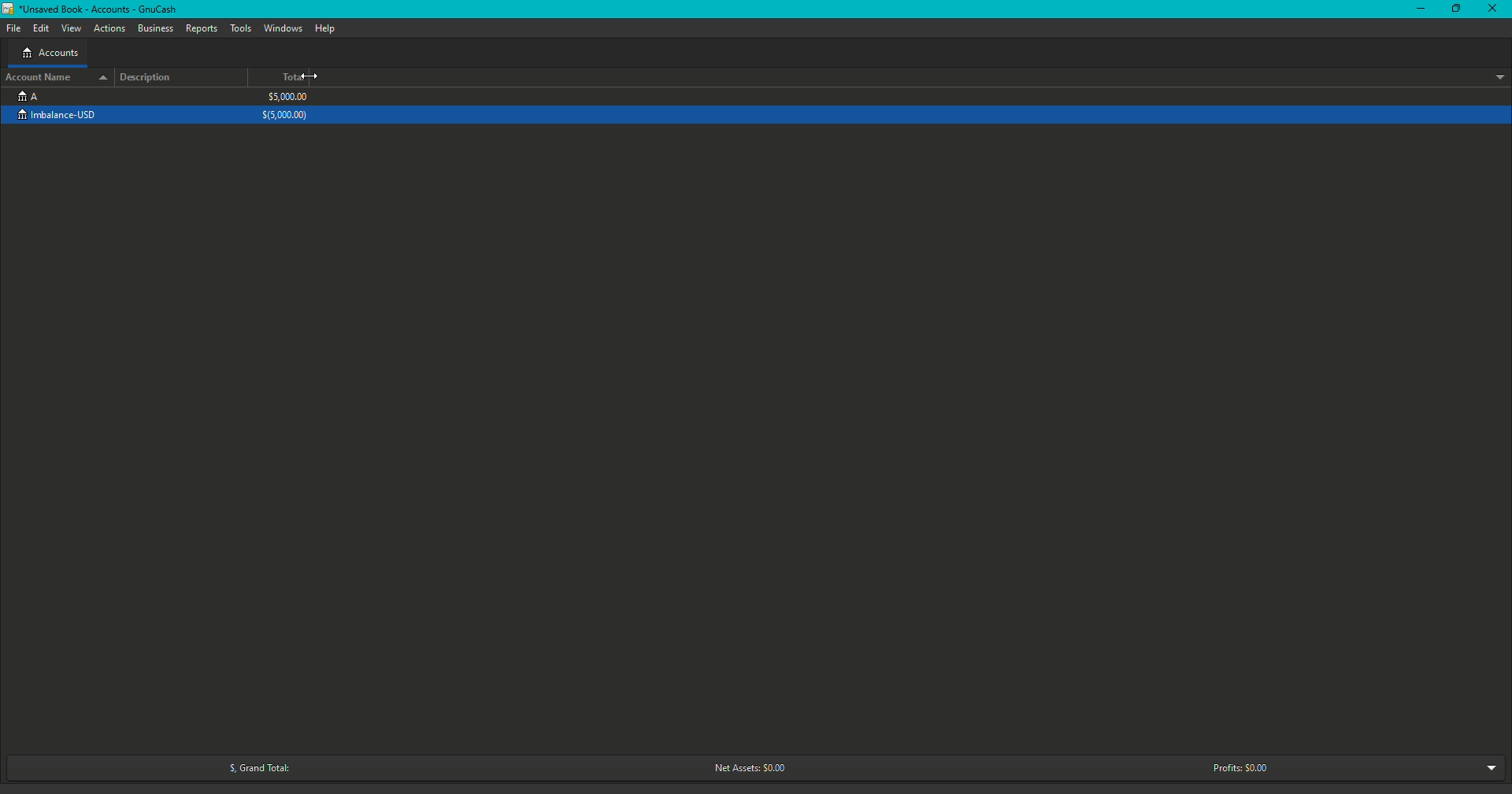 The height and width of the screenshot is (794, 1512). I want to click on Help, so click(324, 28).